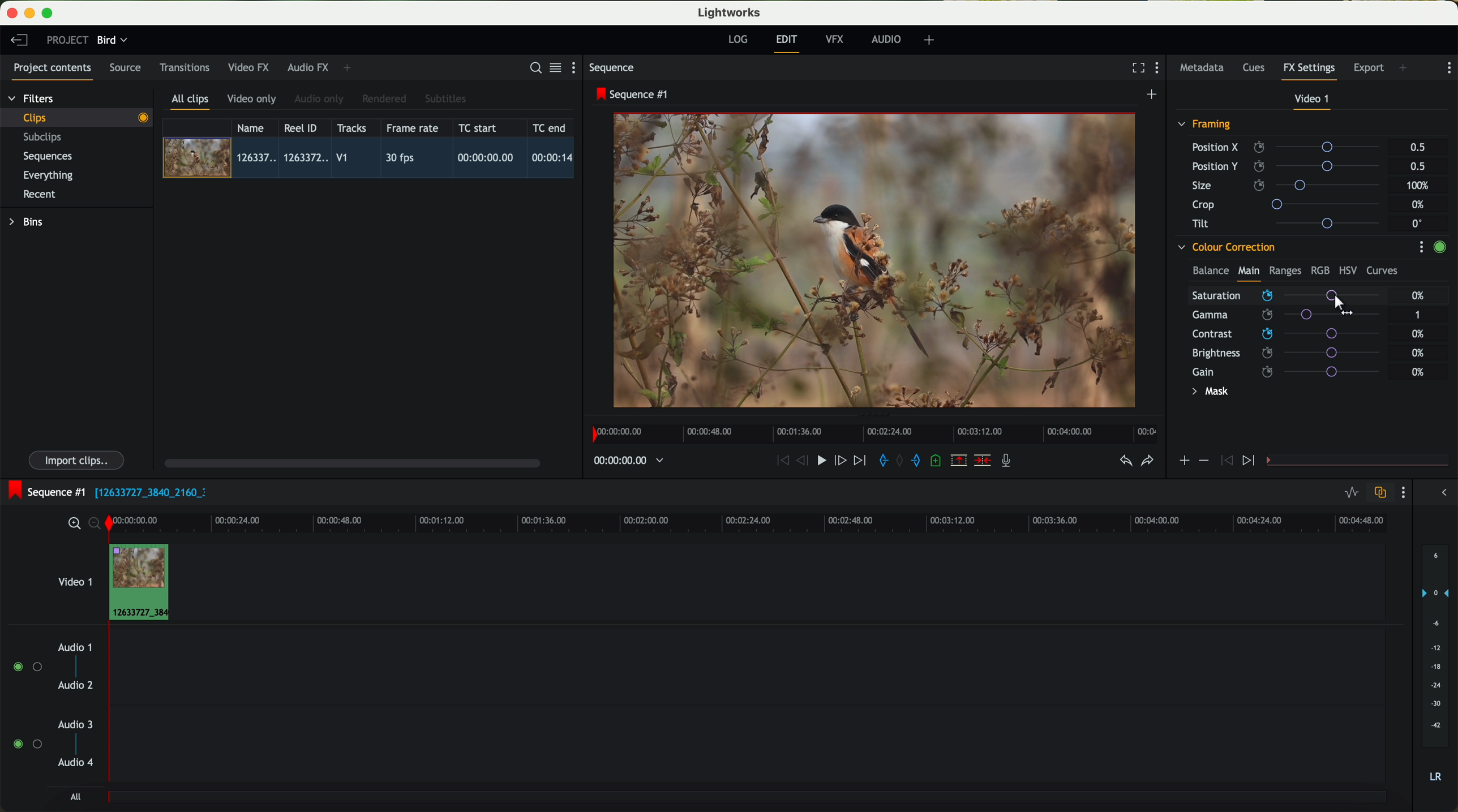  Describe the element at coordinates (372, 160) in the screenshot. I see `click on video` at that location.